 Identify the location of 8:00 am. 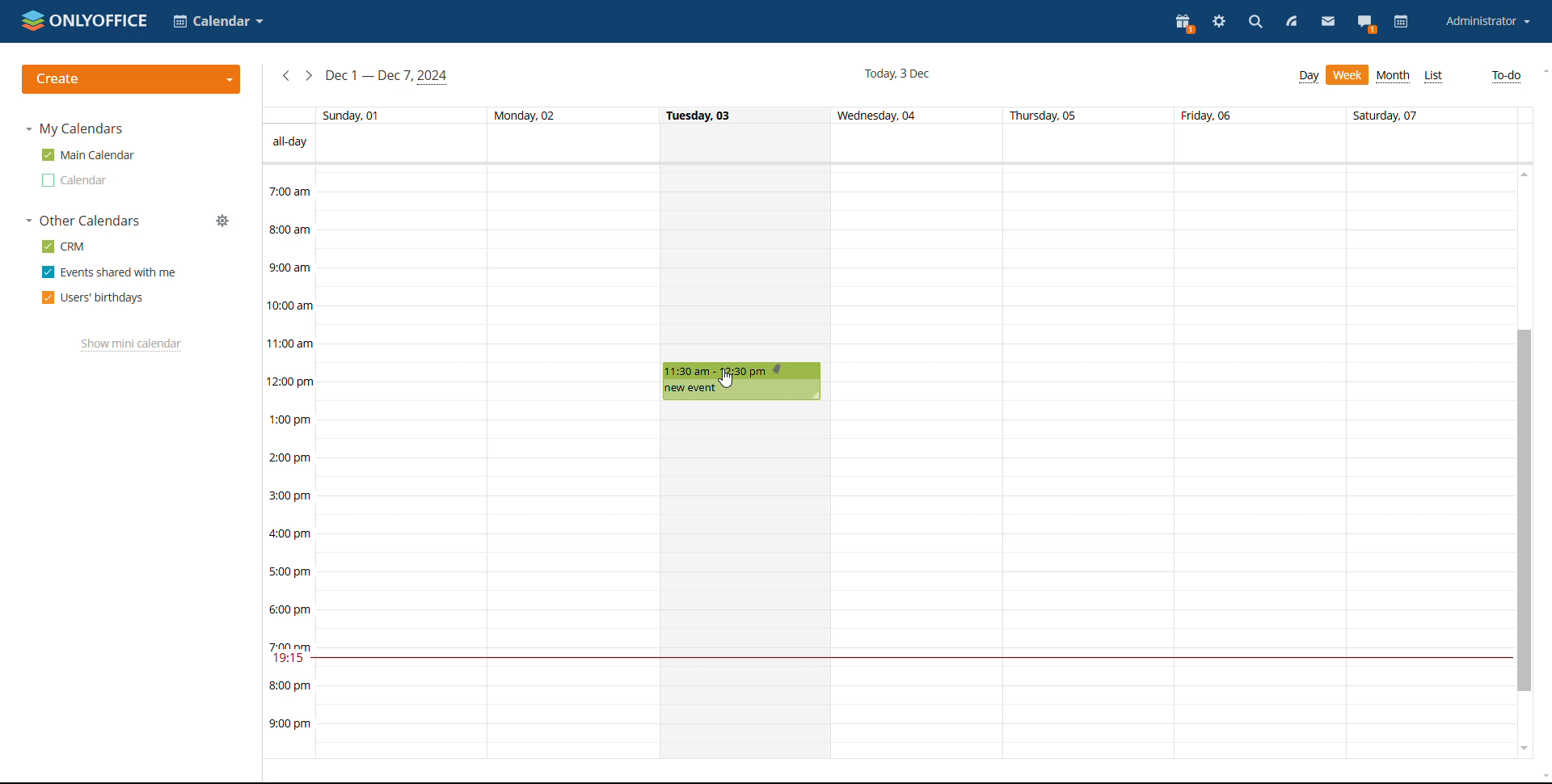
(289, 228).